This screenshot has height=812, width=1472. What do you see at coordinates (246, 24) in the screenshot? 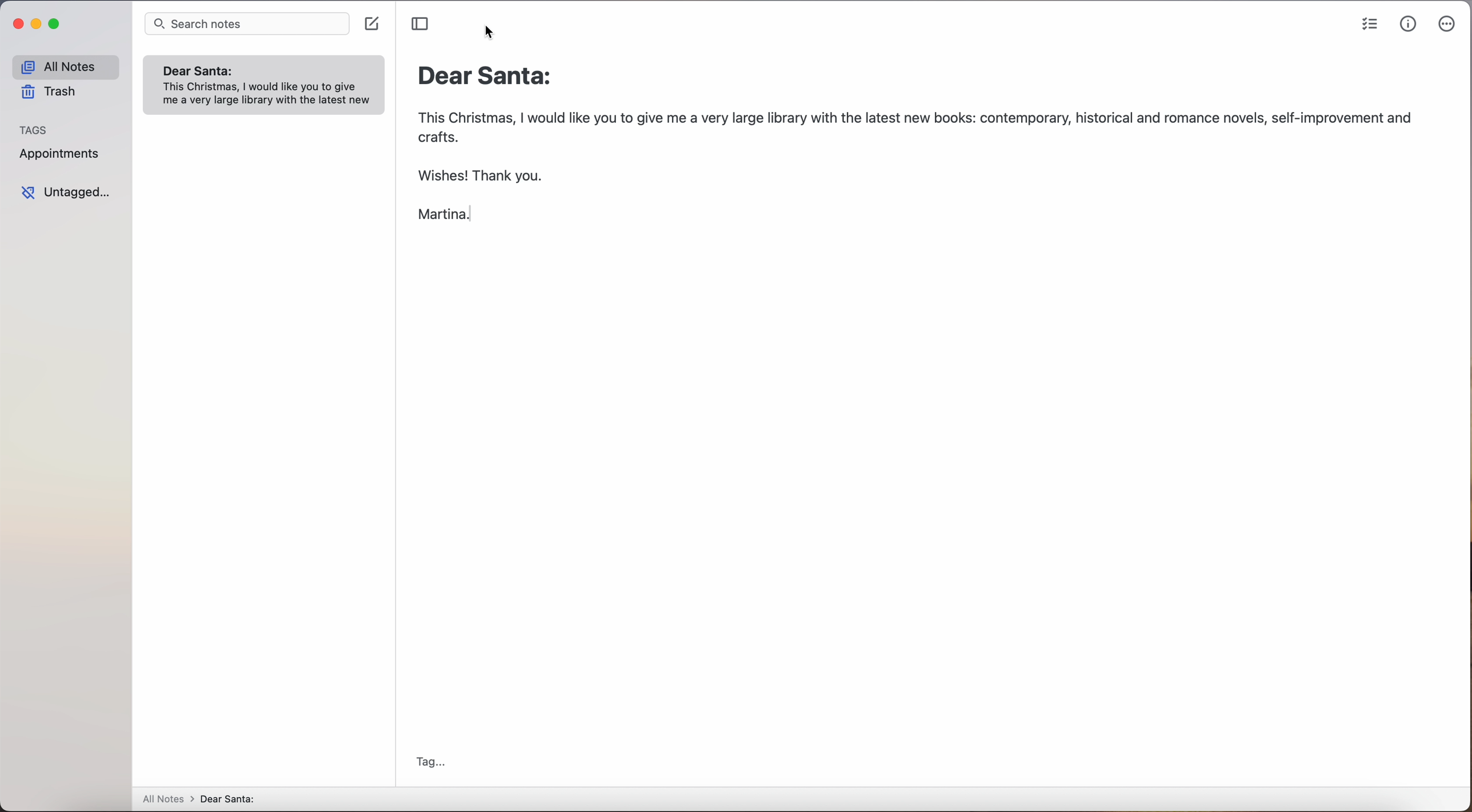
I see `search bar` at bounding box center [246, 24].